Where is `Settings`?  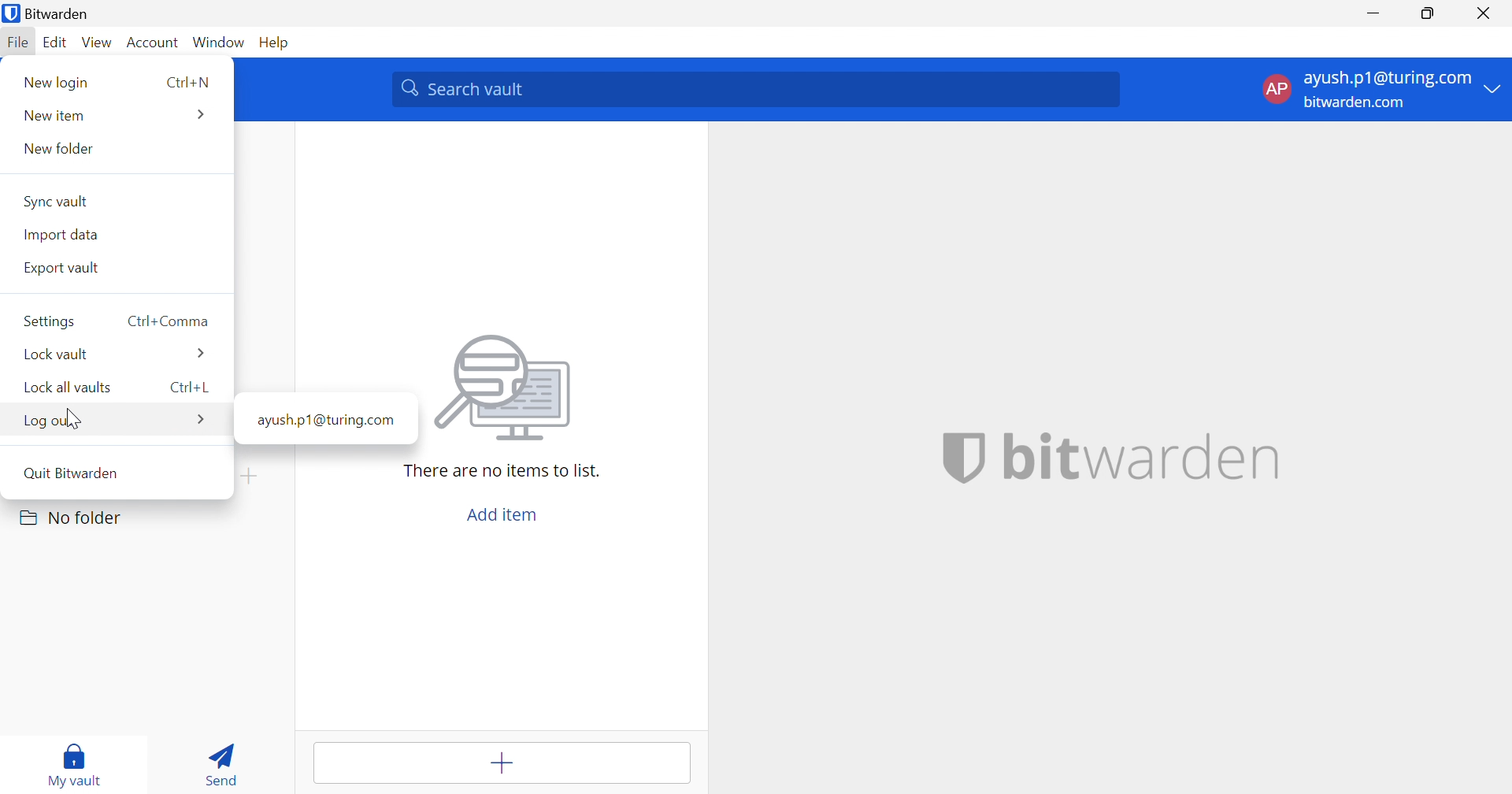
Settings is located at coordinates (49, 321).